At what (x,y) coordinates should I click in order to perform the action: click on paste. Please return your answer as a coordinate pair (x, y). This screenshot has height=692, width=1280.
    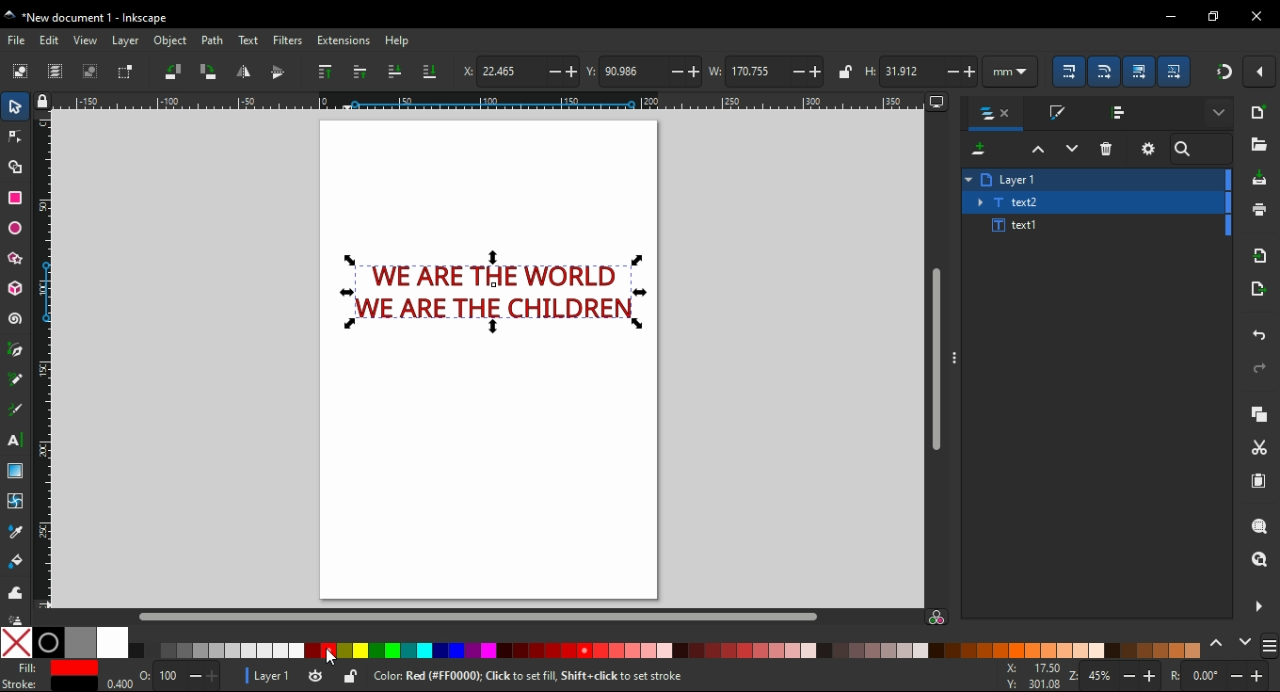
    Looking at the image, I should click on (1257, 483).